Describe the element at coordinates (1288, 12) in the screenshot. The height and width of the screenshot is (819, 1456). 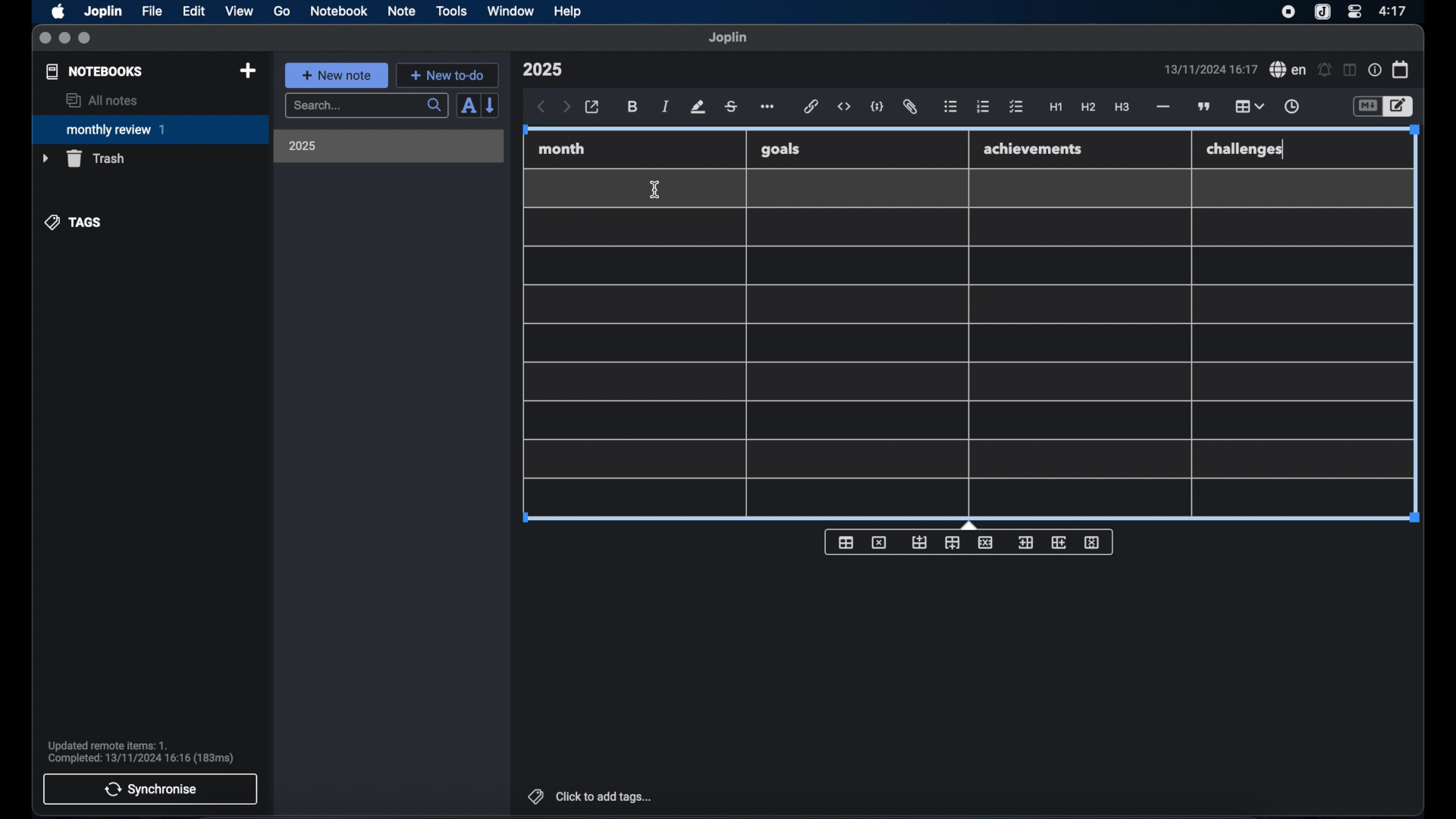
I see `screen recorder icon` at that location.